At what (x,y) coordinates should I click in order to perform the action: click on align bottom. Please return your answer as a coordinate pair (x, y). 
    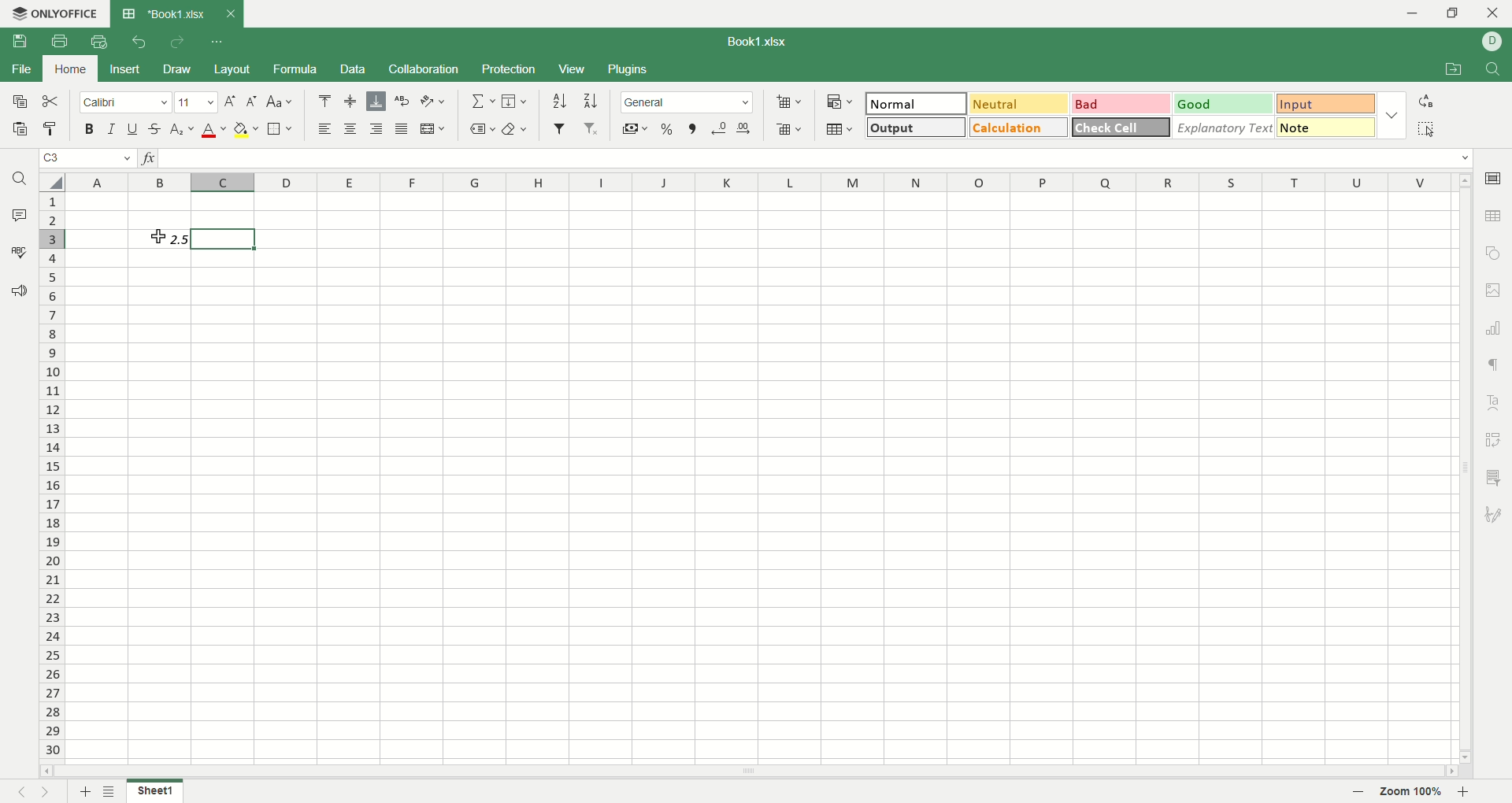
    Looking at the image, I should click on (375, 101).